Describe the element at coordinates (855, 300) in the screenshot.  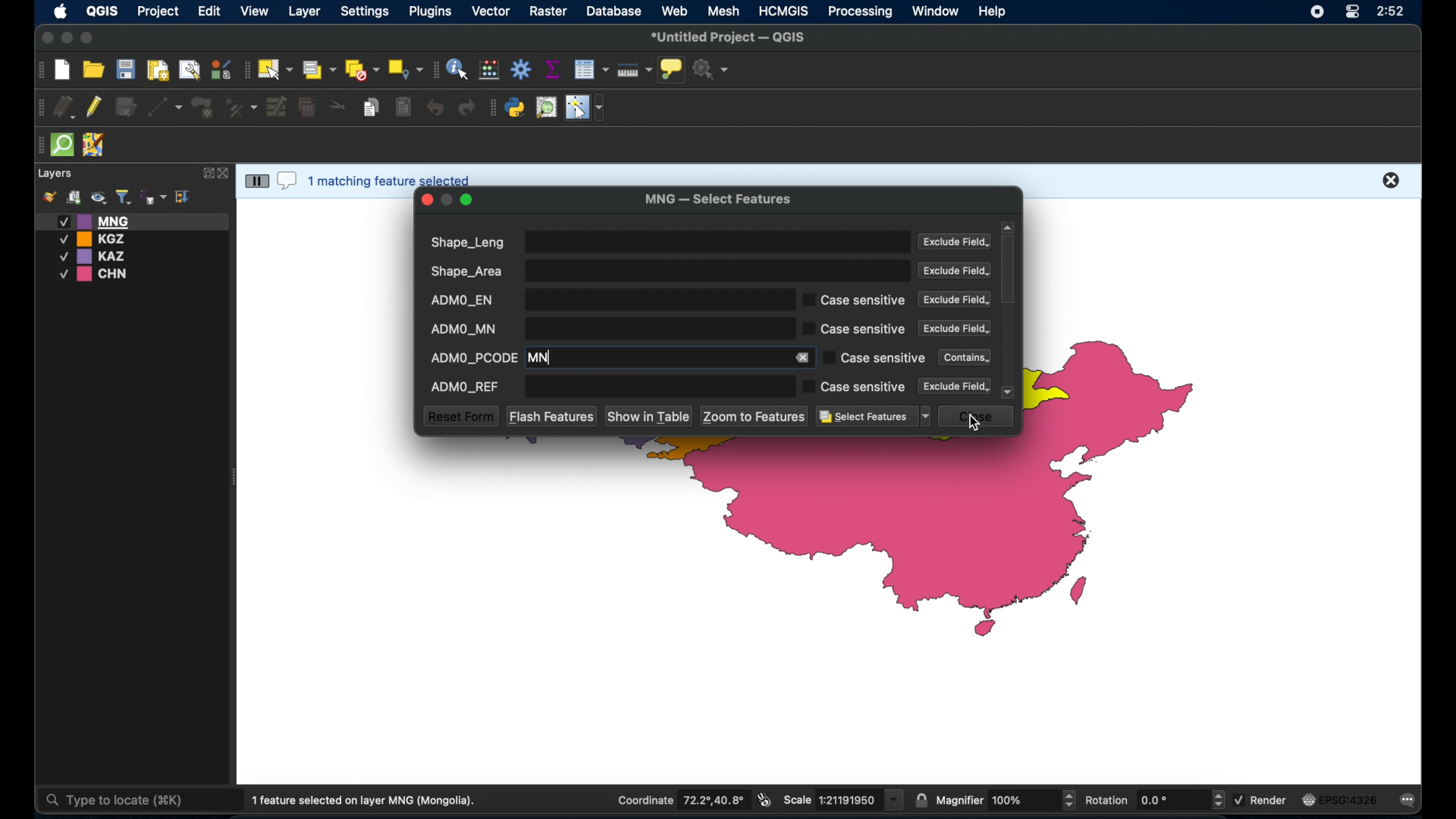
I see `case sensitive` at that location.